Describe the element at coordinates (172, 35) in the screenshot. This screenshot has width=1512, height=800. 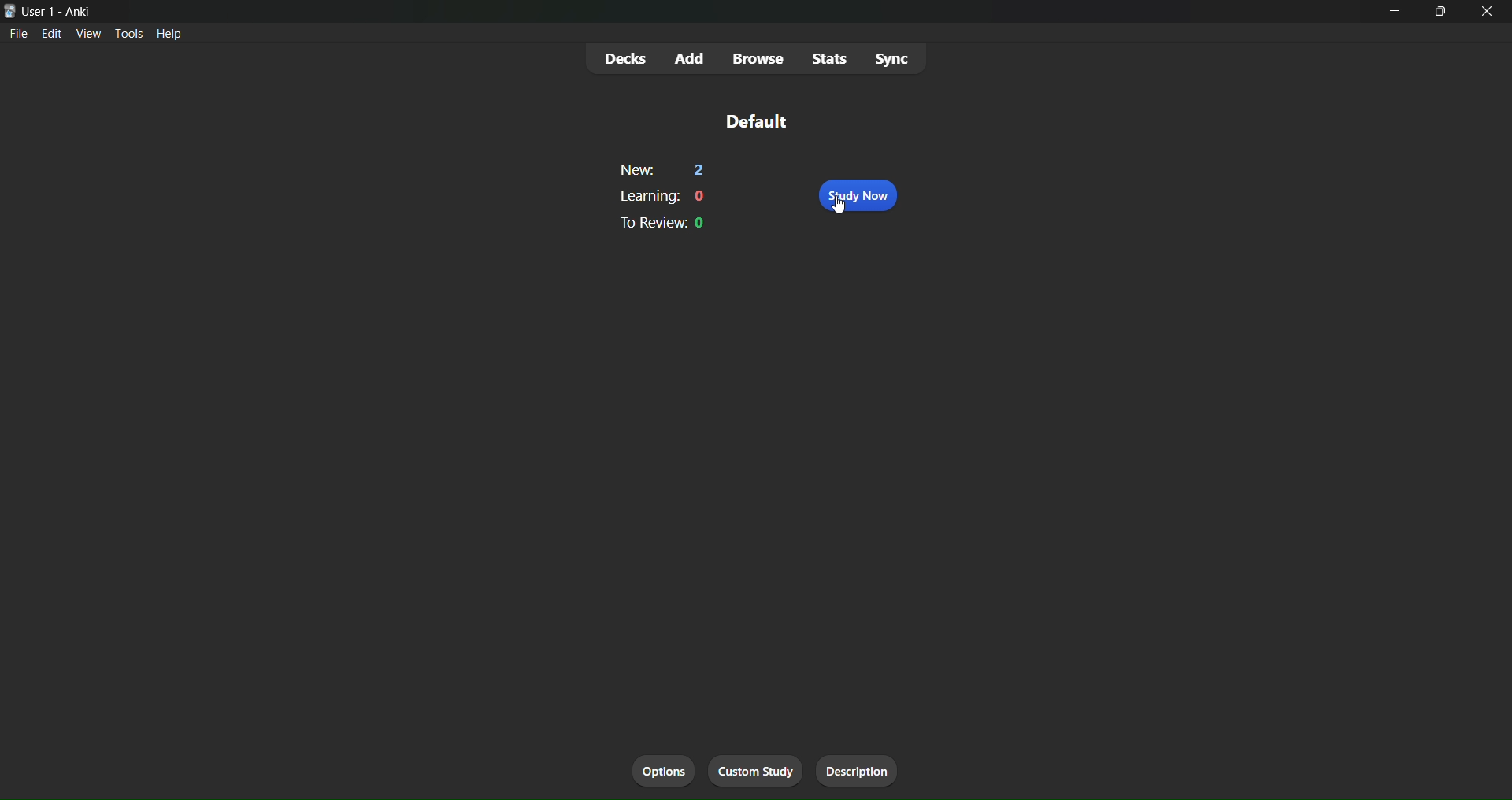
I see `help` at that location.